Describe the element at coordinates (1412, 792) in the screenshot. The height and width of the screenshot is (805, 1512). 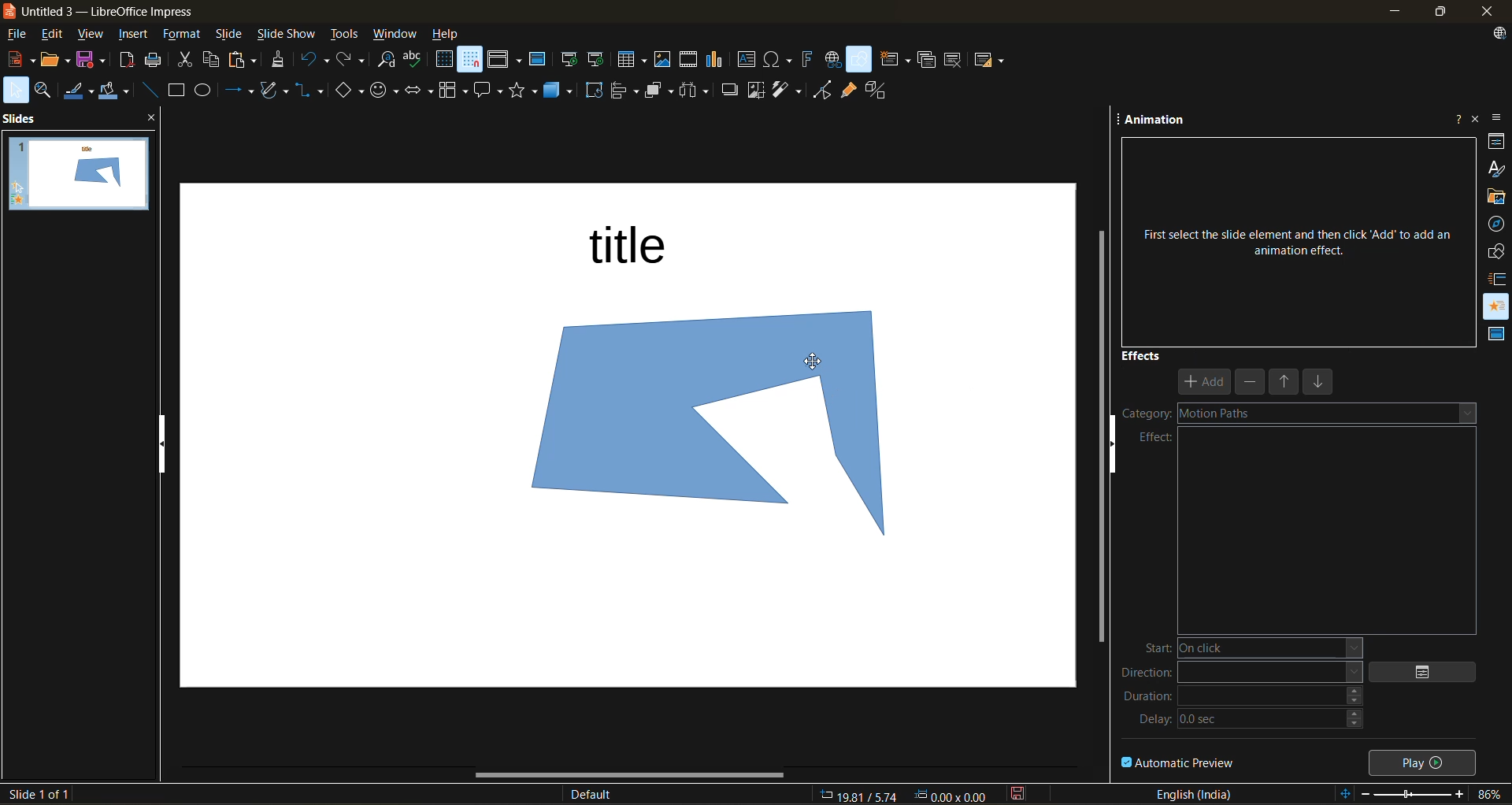
I see `zoom slider` at that location.